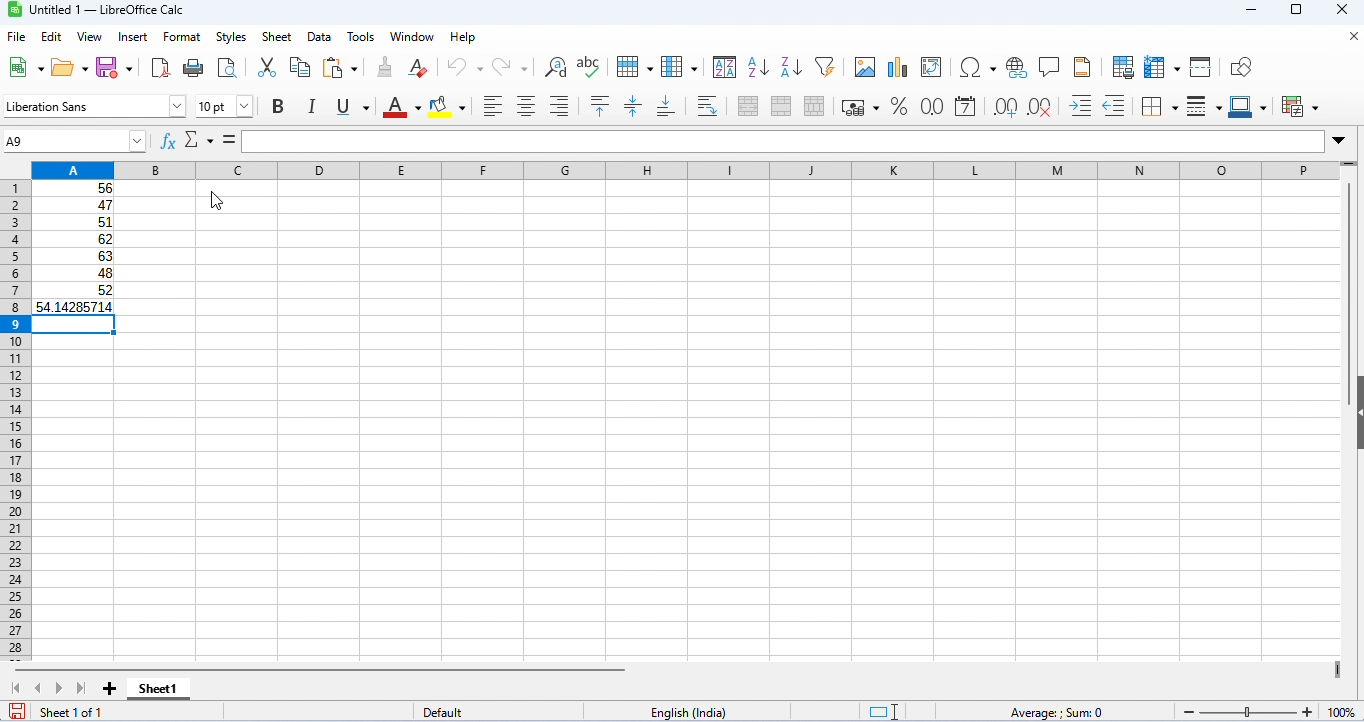 The image size is (1364, 722). I want to click on insert chart, so click(897, 68).